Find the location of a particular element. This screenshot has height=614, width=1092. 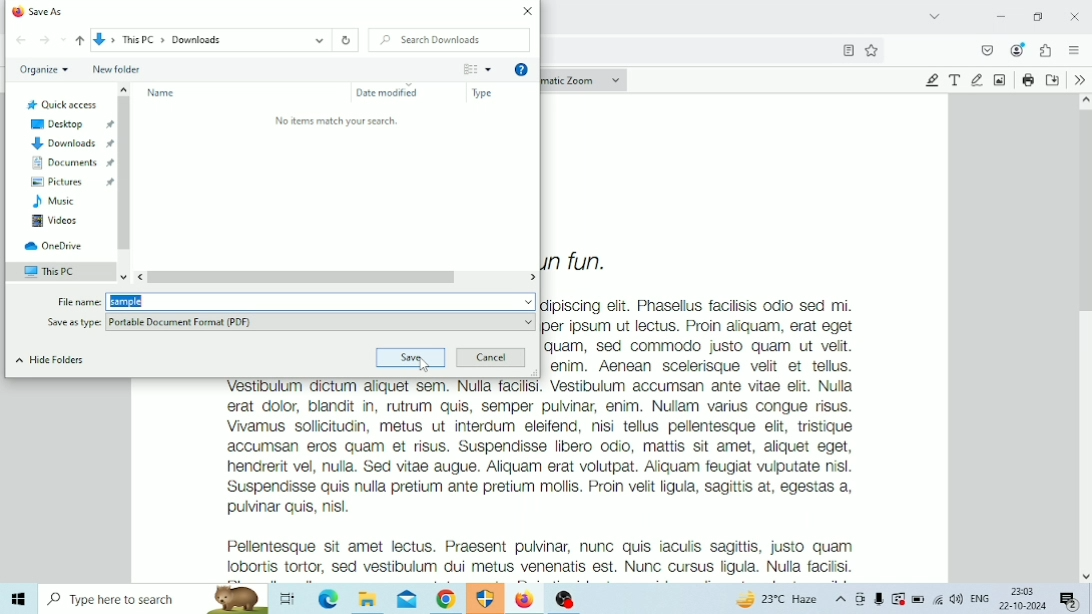

Language is located at coordinates (981, 598).